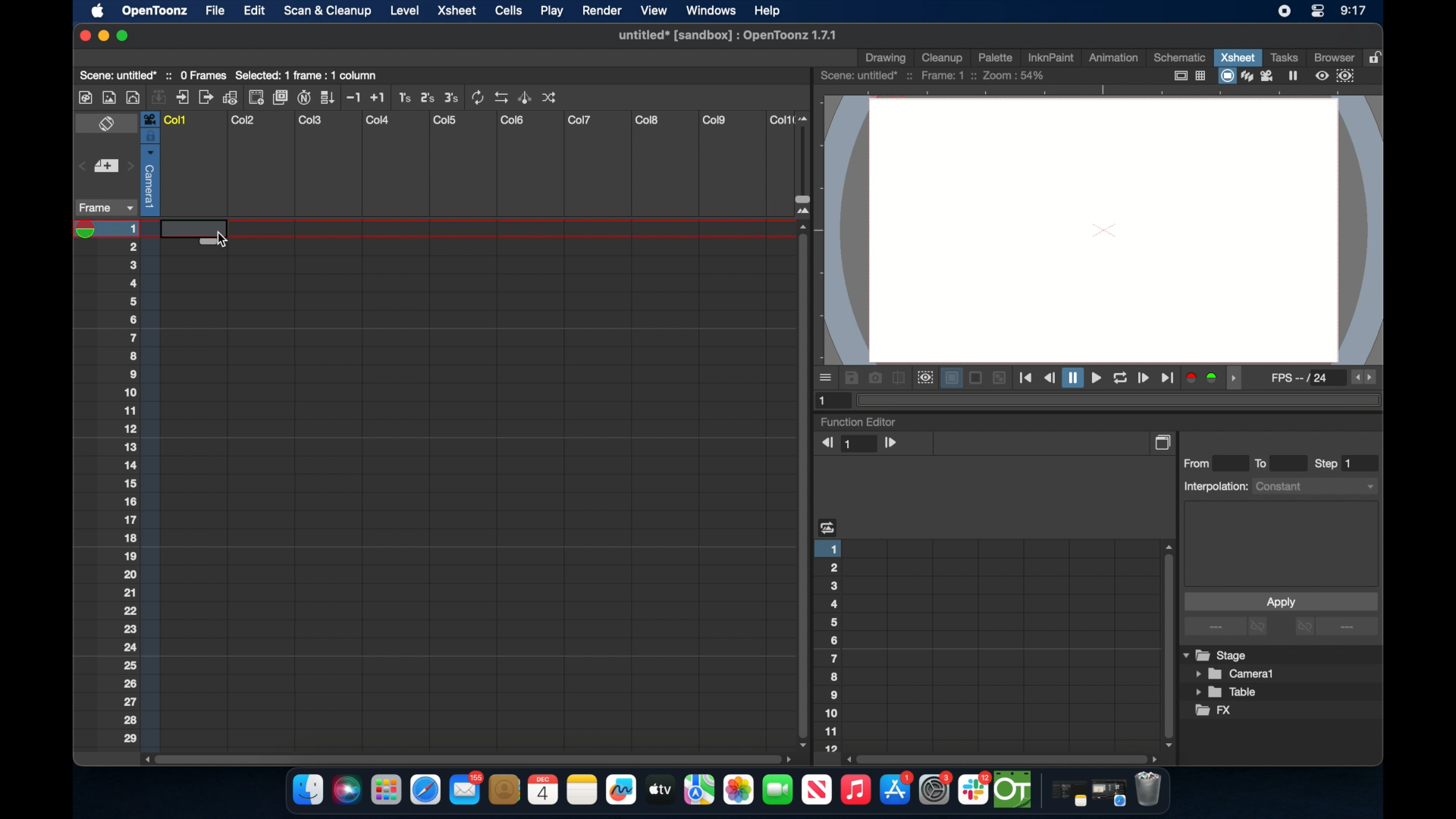  I want to click on 1, so click(861, 444).